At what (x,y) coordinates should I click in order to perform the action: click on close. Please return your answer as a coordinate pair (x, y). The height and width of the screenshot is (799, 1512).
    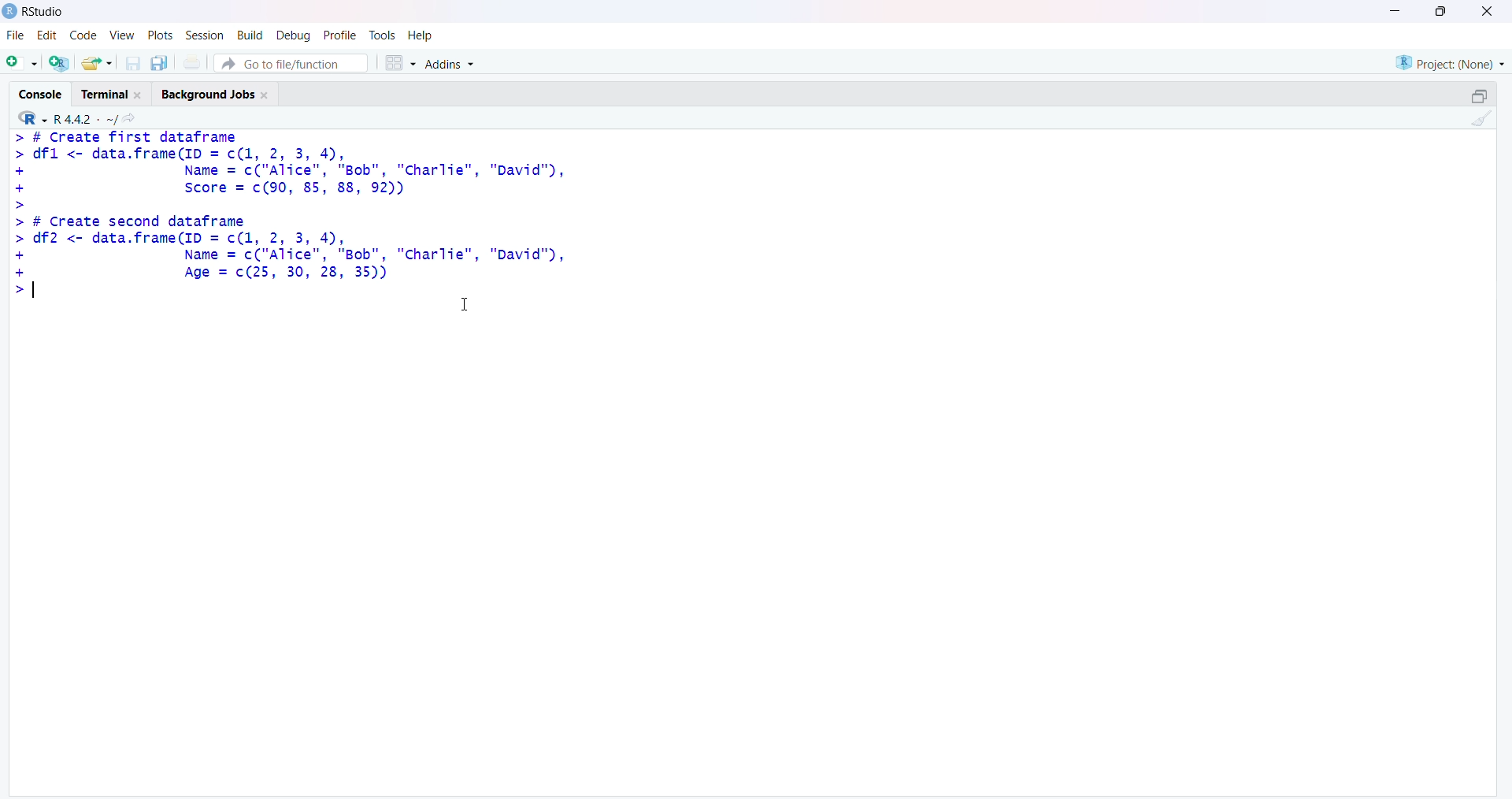
    Looking at the image, I should click on (267, 95).